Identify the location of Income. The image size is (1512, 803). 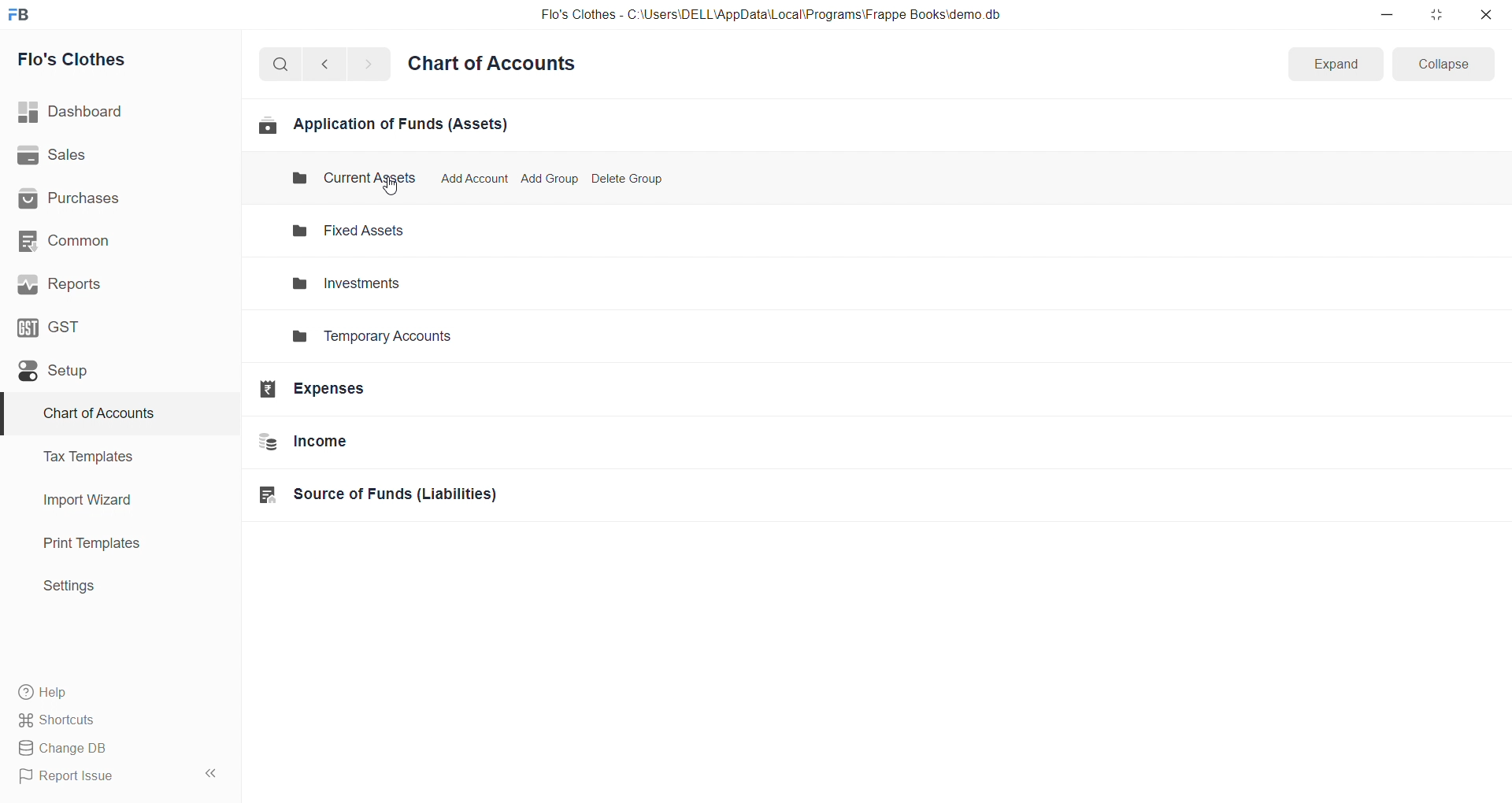
(376, 445).